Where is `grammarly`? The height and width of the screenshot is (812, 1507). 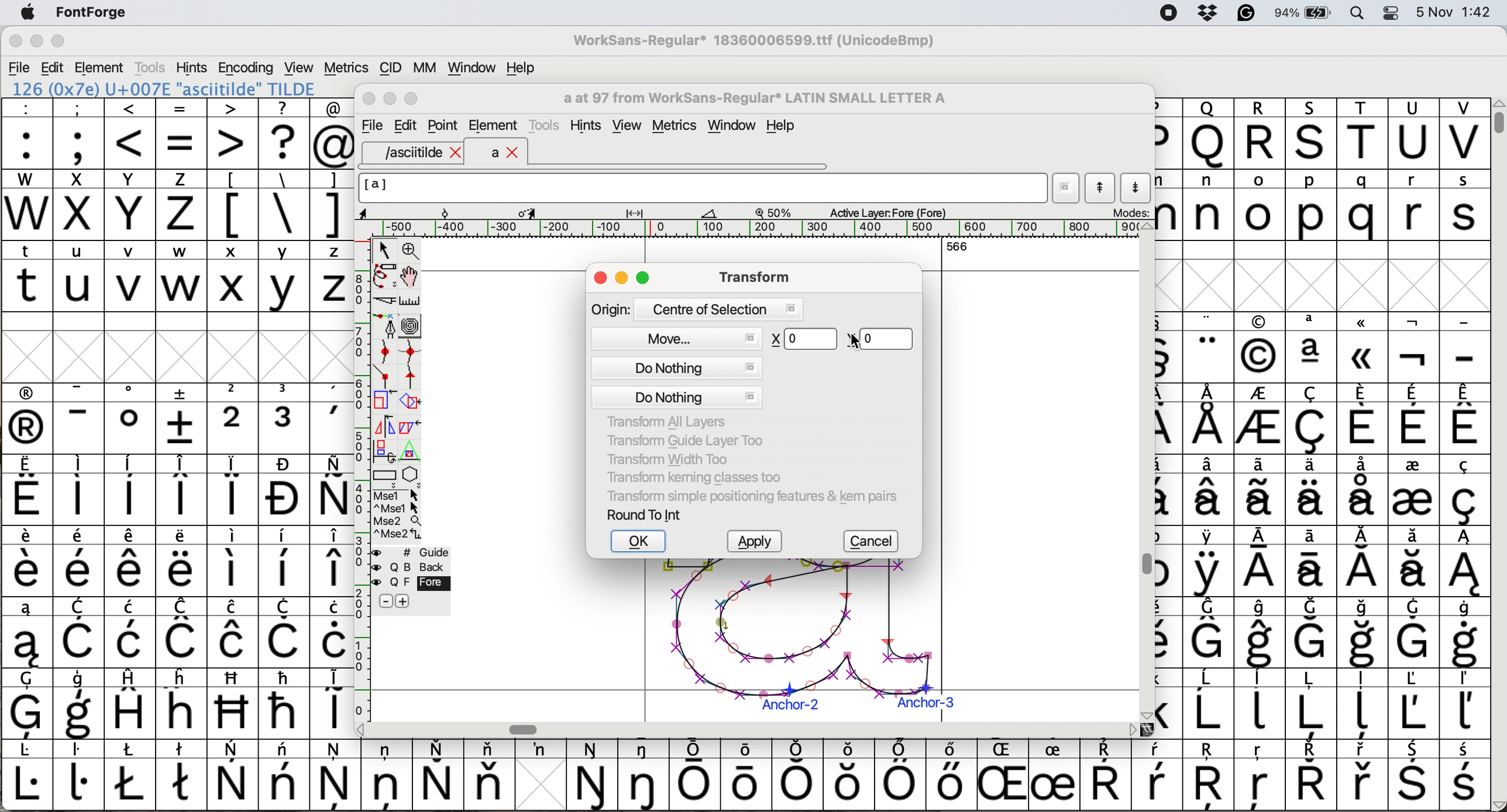 grammarly is located at coordinates (1245, 15).